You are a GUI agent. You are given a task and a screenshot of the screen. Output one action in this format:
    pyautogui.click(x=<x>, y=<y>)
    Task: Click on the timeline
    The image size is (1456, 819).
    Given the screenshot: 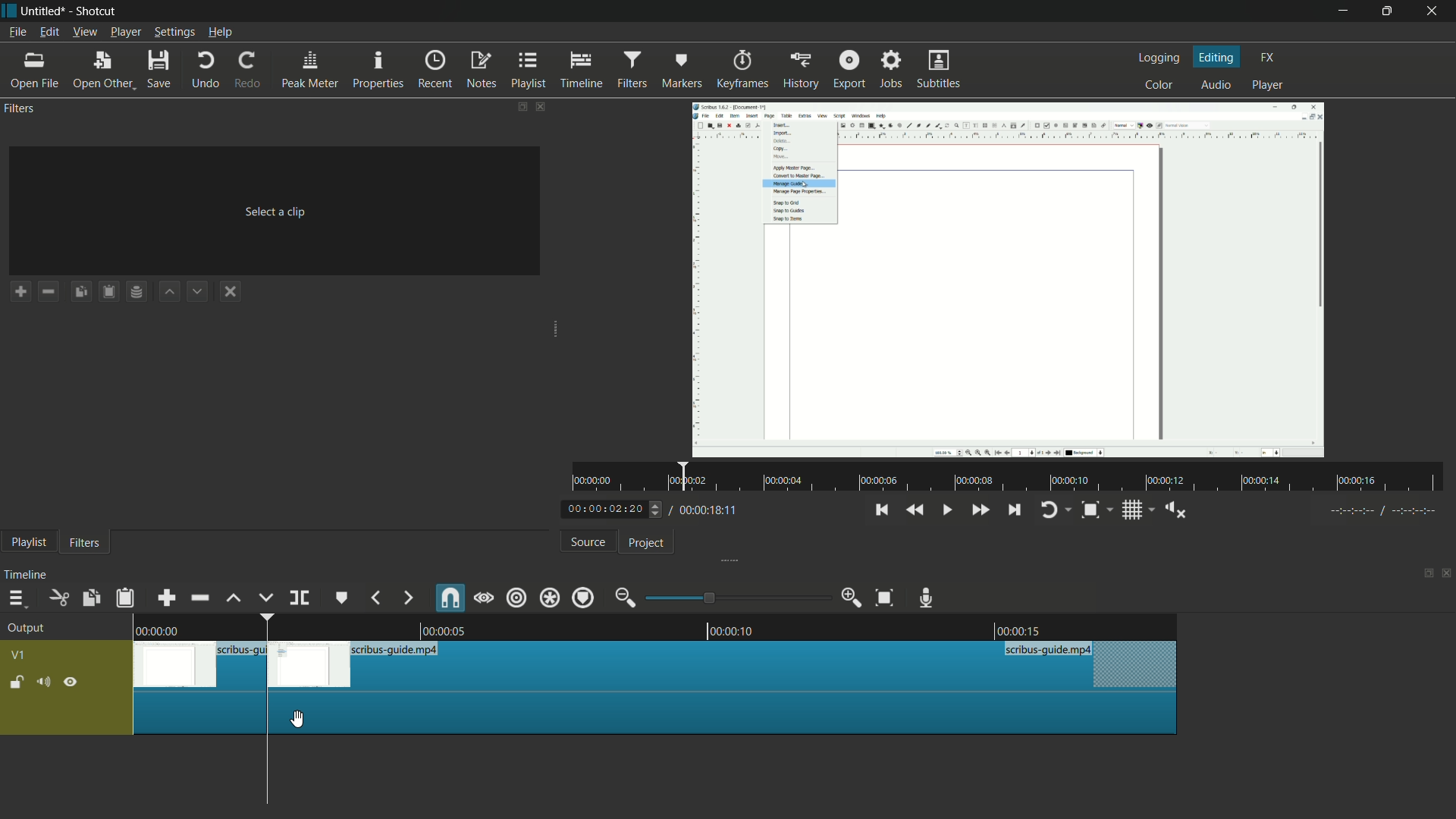 What is the action you would take?
    pyautogui.click(x=26, y=575)
    